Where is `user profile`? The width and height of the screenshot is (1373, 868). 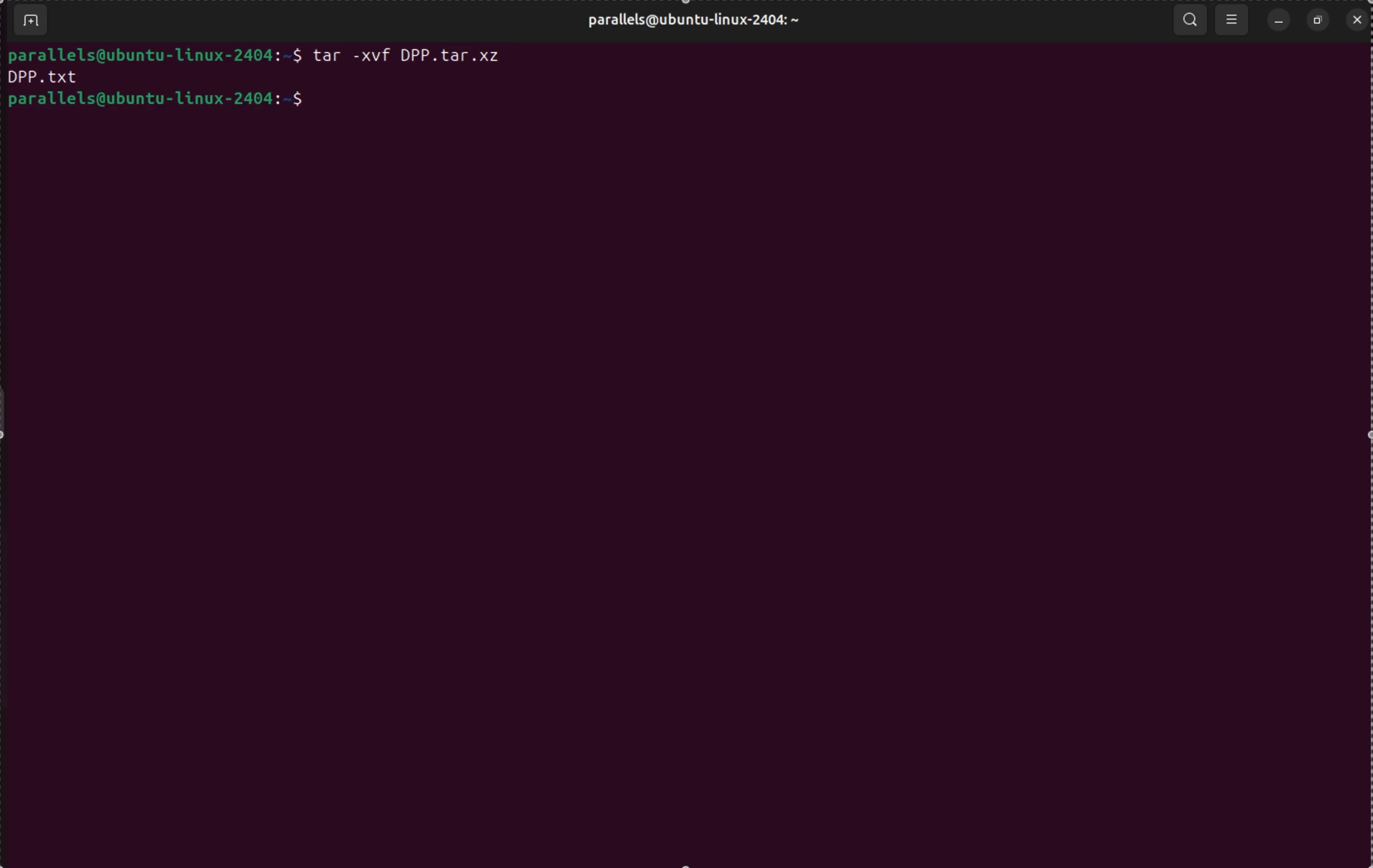 user profile is located at coordinates (690, 22).